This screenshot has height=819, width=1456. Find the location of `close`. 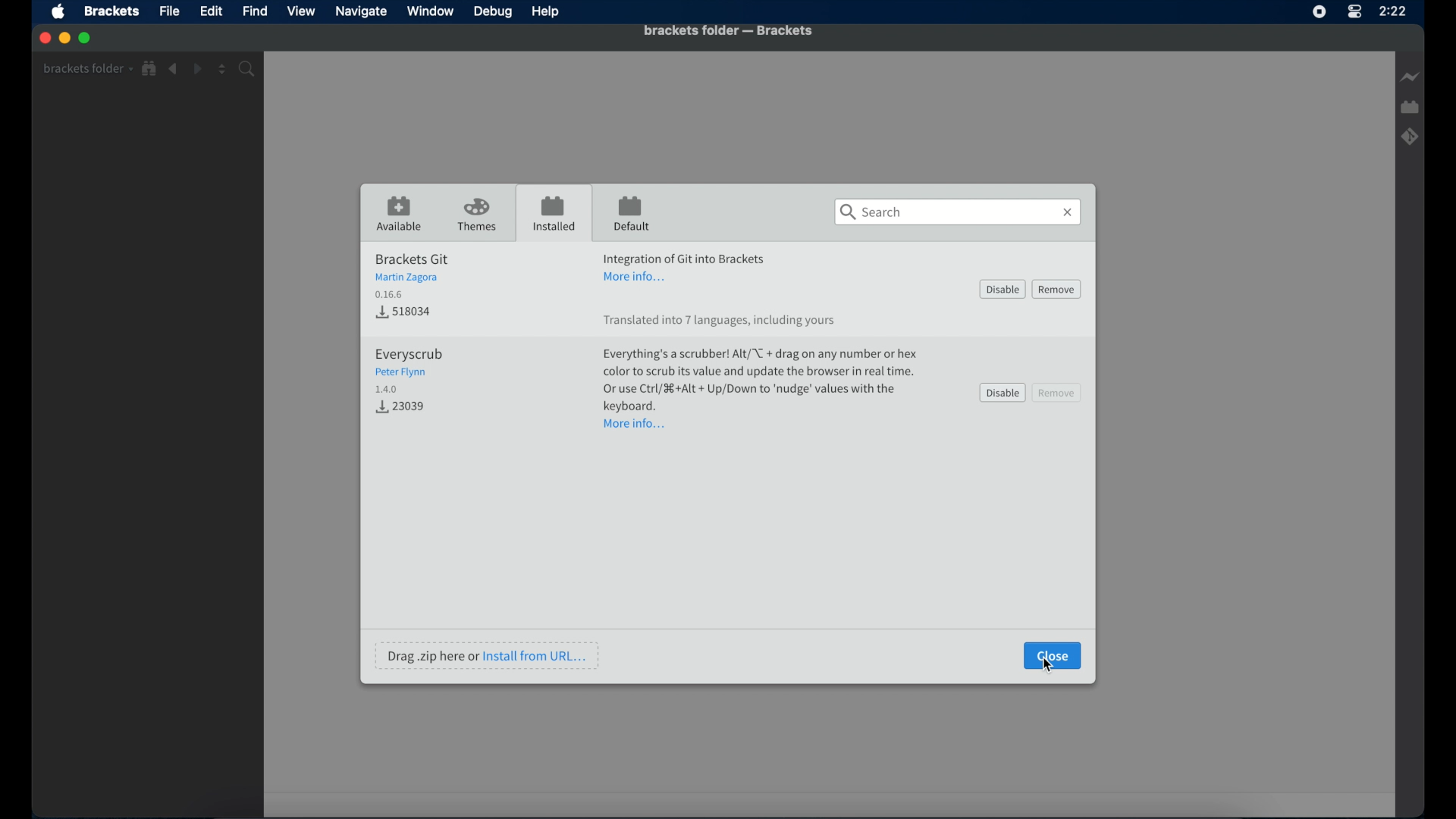

close is located at coordinates (1053, 654).